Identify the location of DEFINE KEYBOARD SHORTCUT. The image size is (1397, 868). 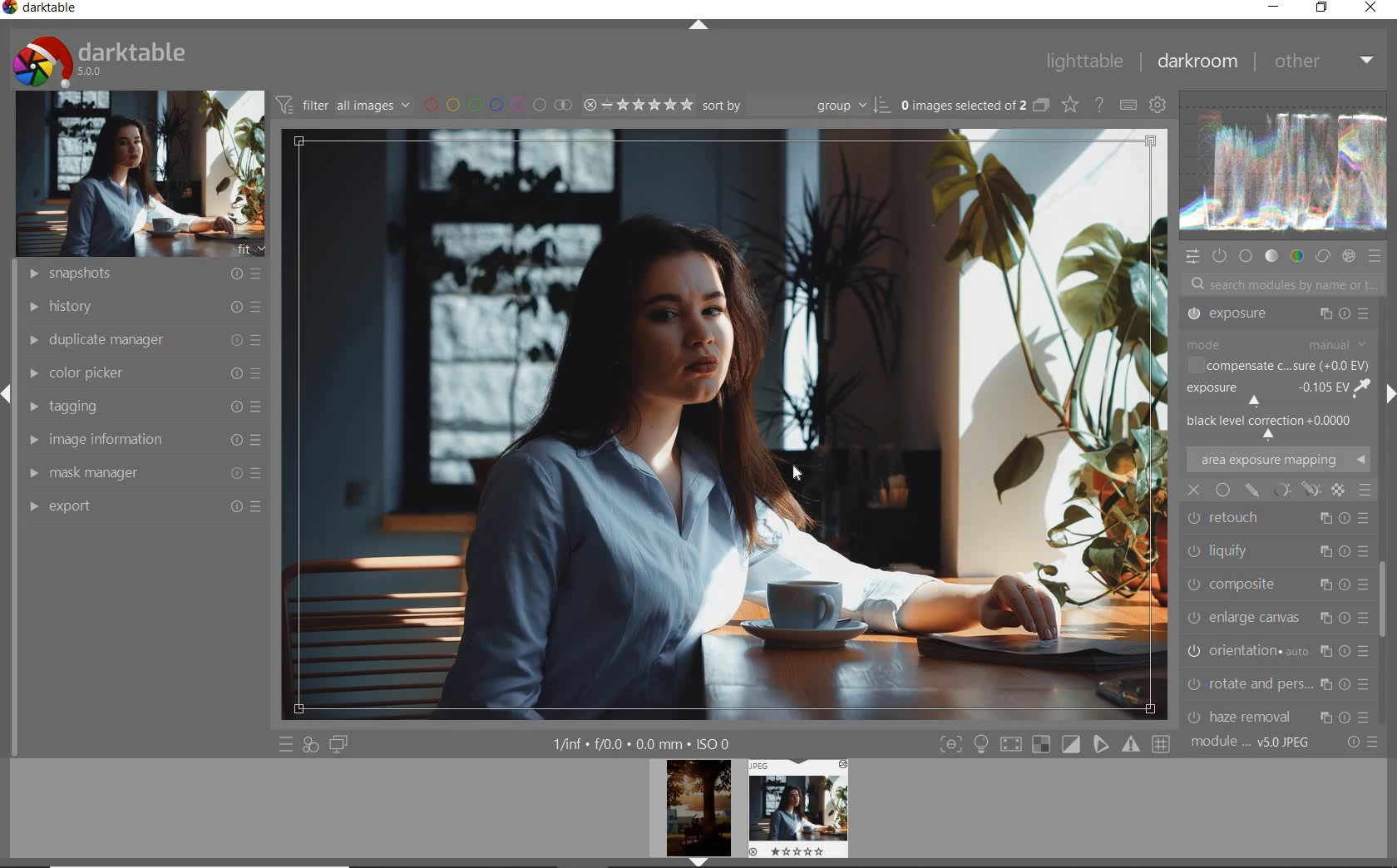
(1129, 106).